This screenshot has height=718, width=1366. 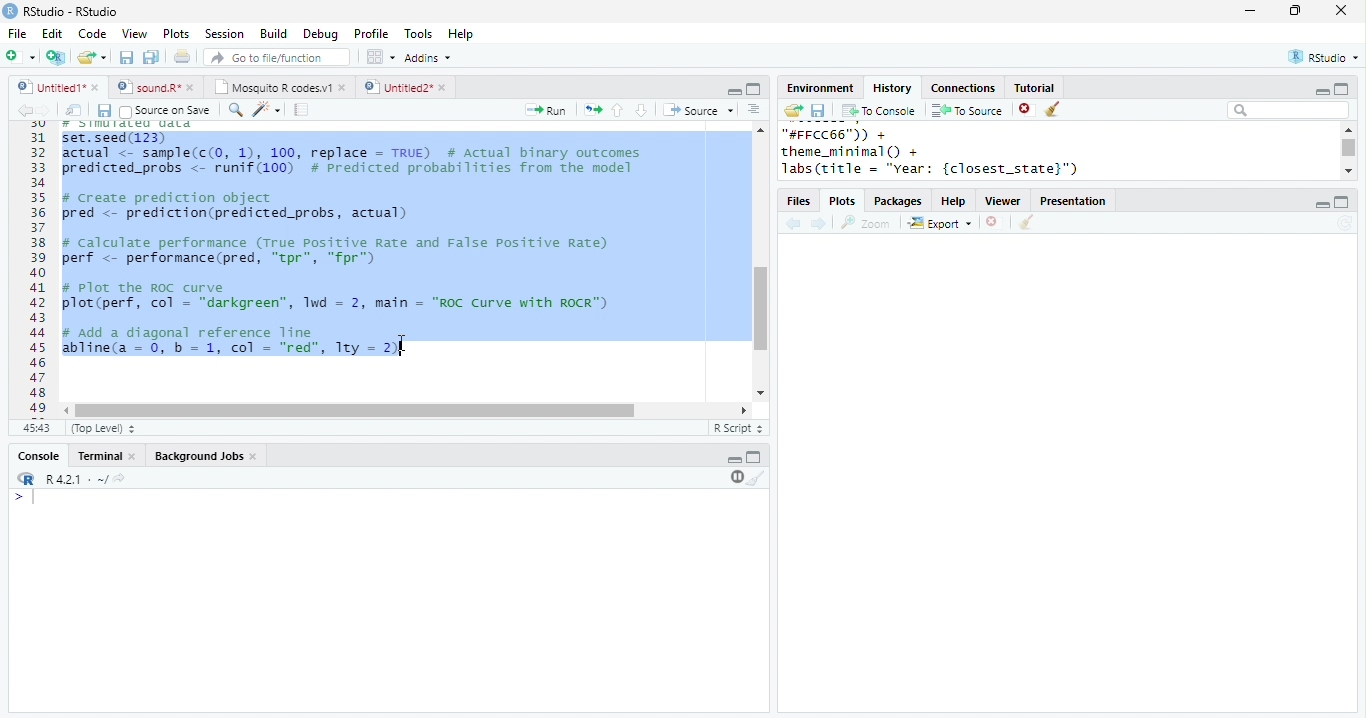 I want to click on backward, so click(x=24, y=110).